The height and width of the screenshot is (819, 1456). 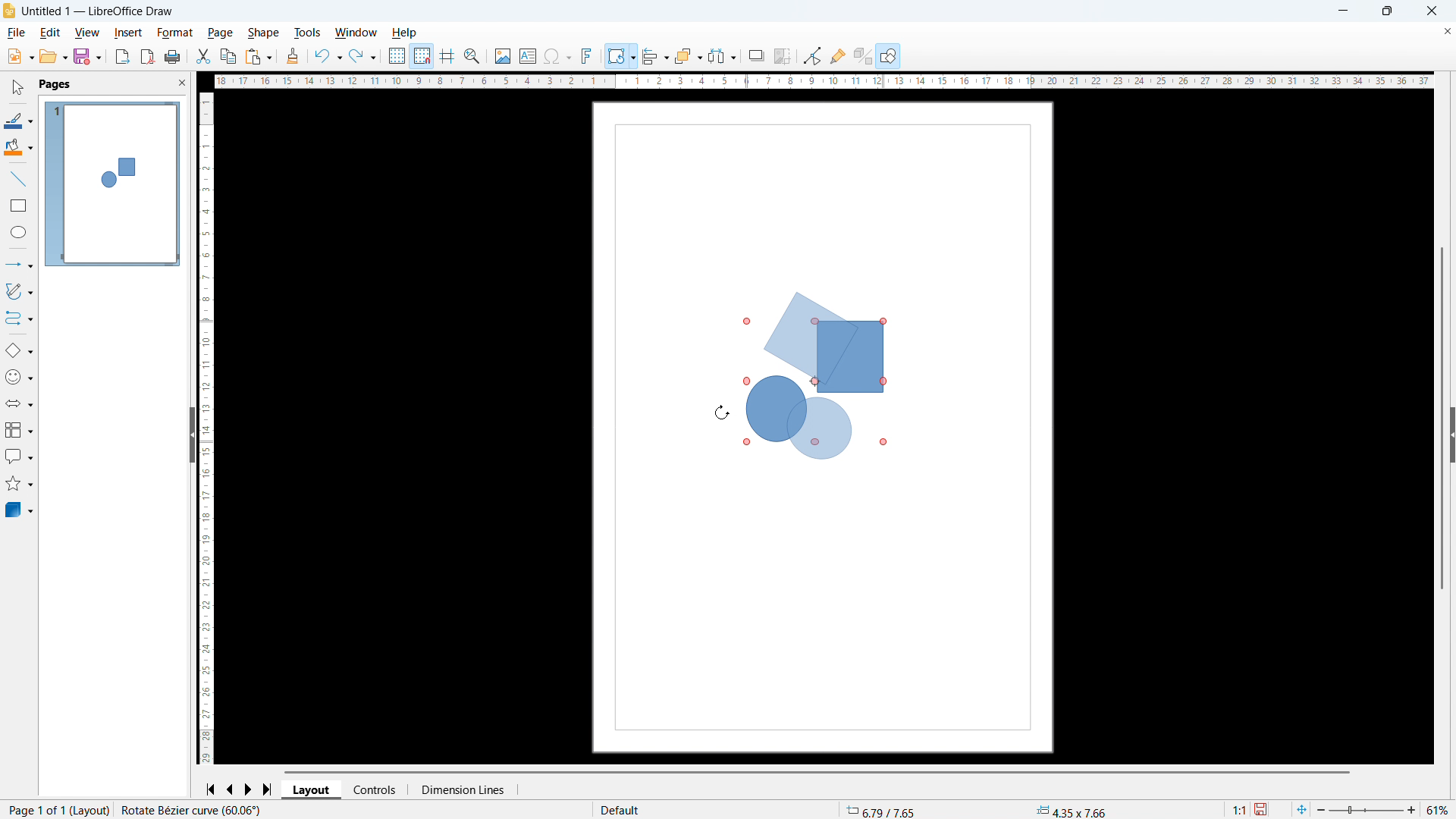 I want to click on Maximise , so click(x=1387, y=11).